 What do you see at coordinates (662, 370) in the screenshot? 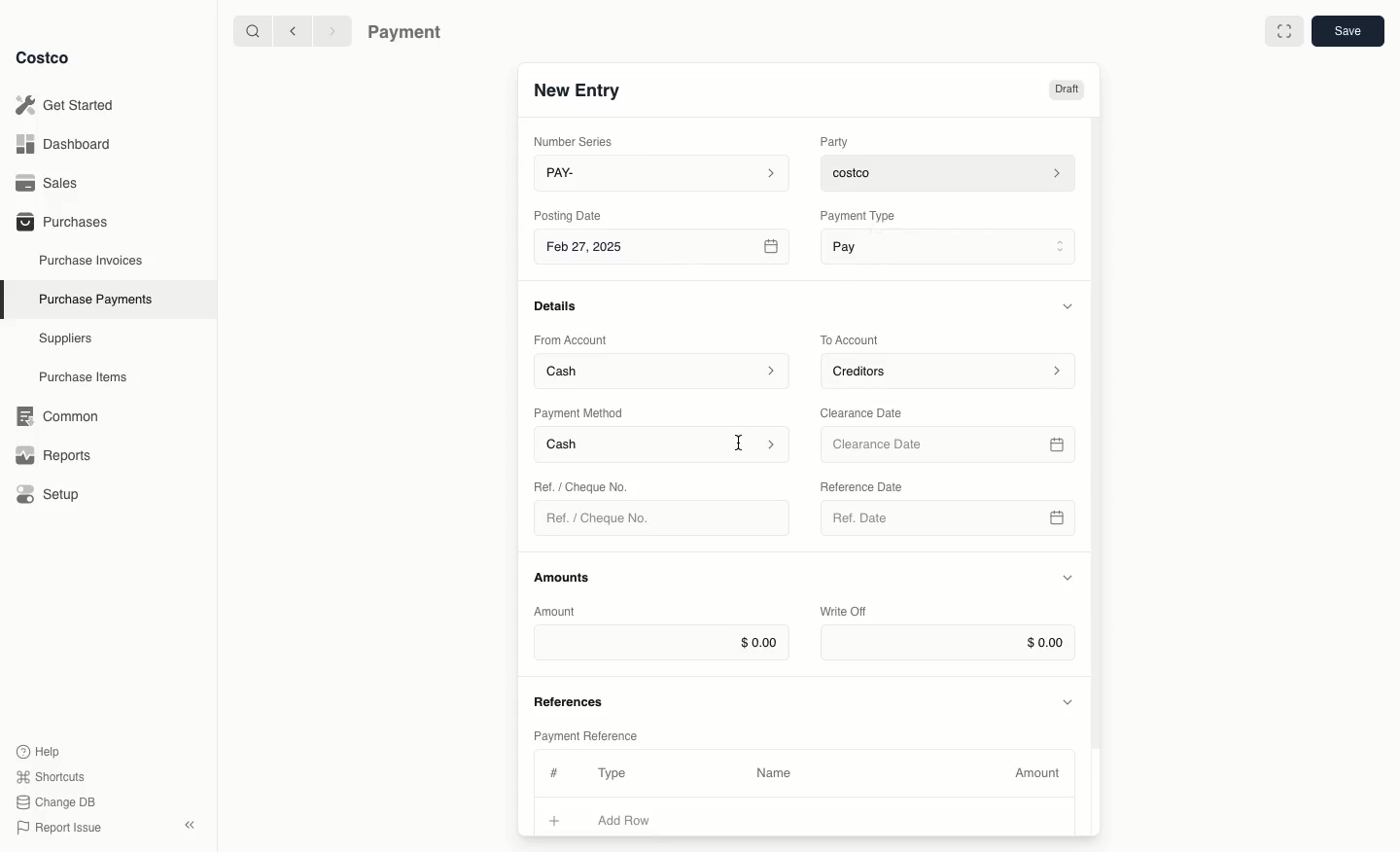
I see `Cash` at bounding box center [662, 370].